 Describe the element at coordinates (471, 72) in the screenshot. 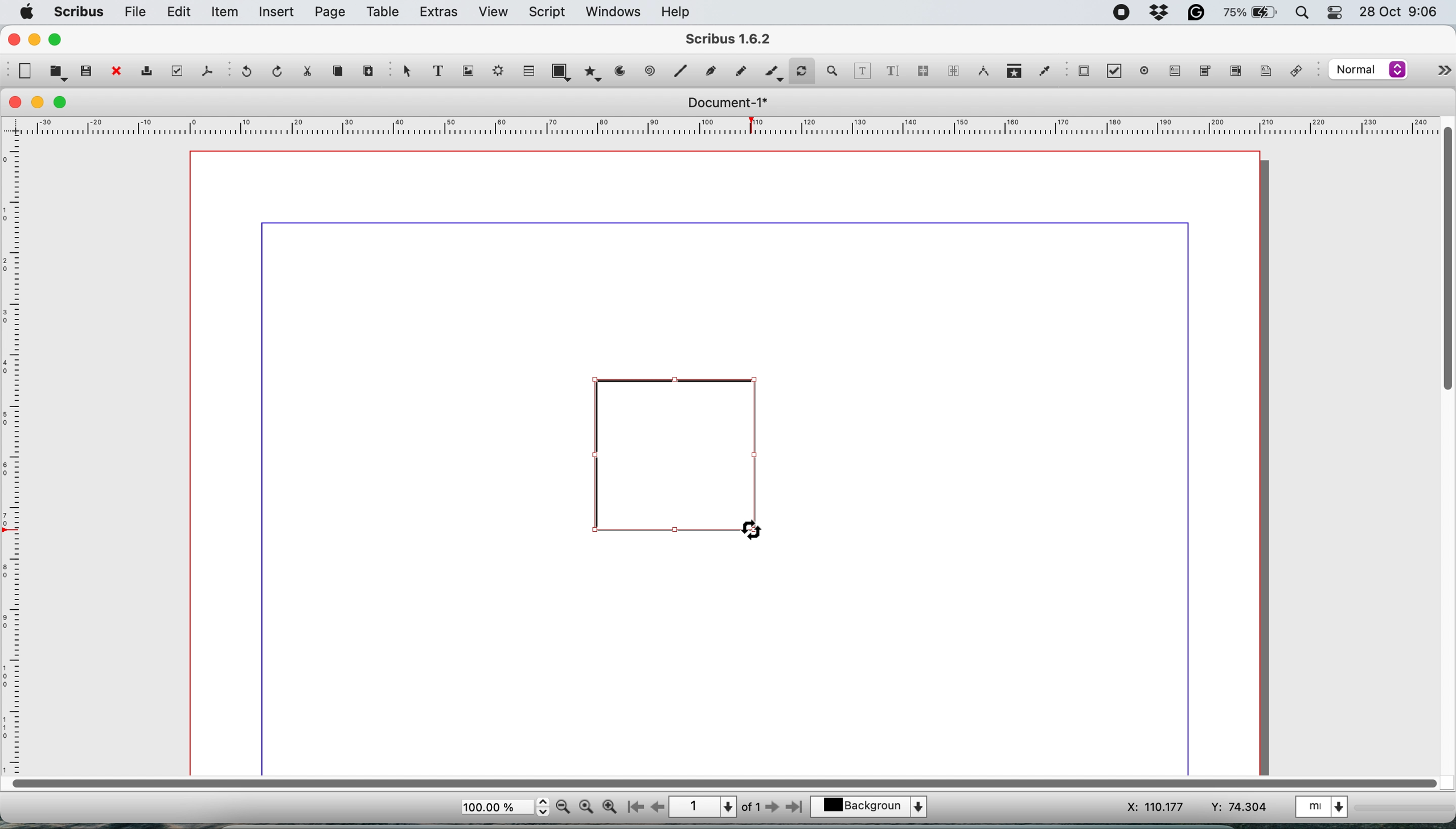

I see `image frame` at that location.